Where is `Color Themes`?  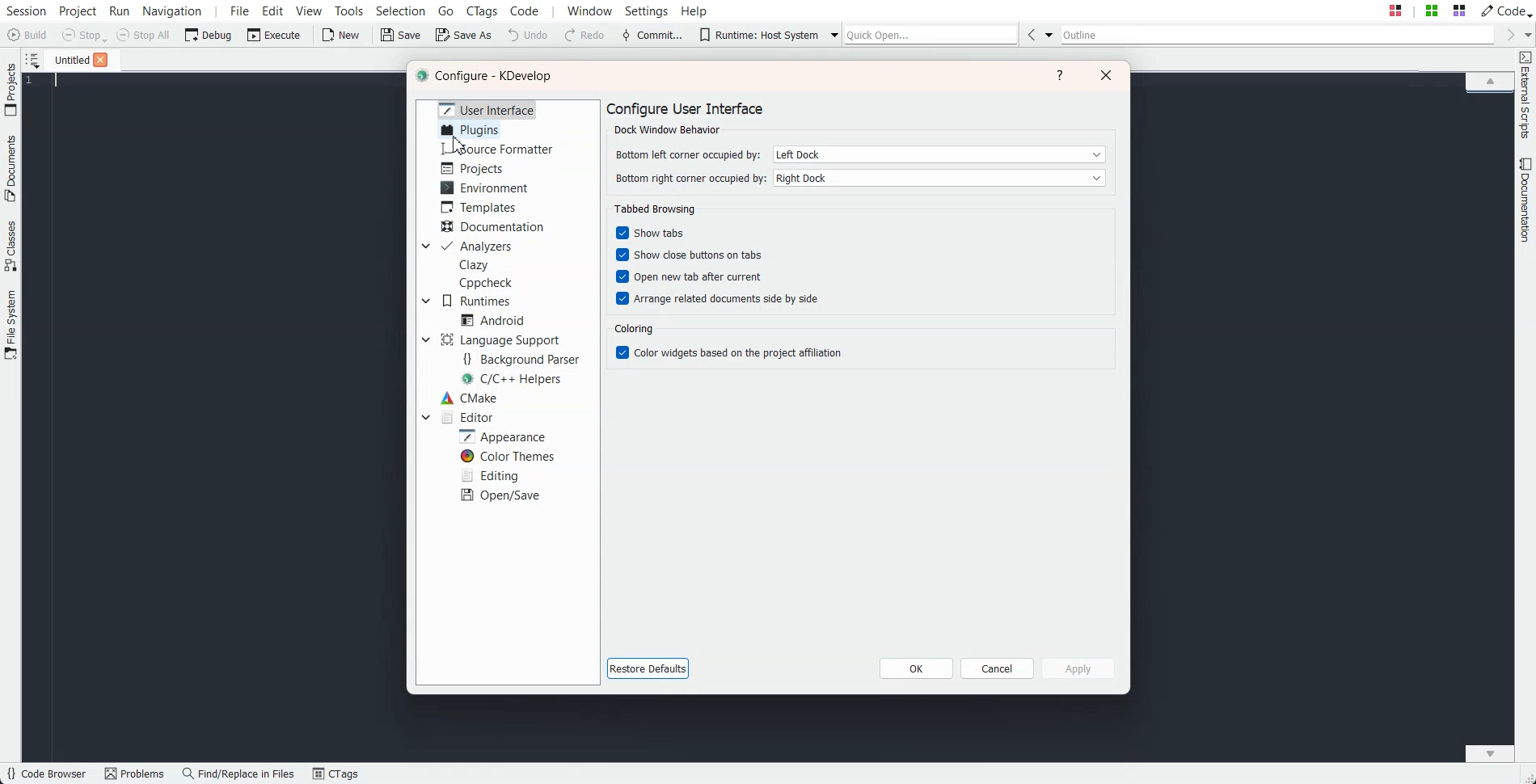 Color Themes is located at coordinates (506, 457).